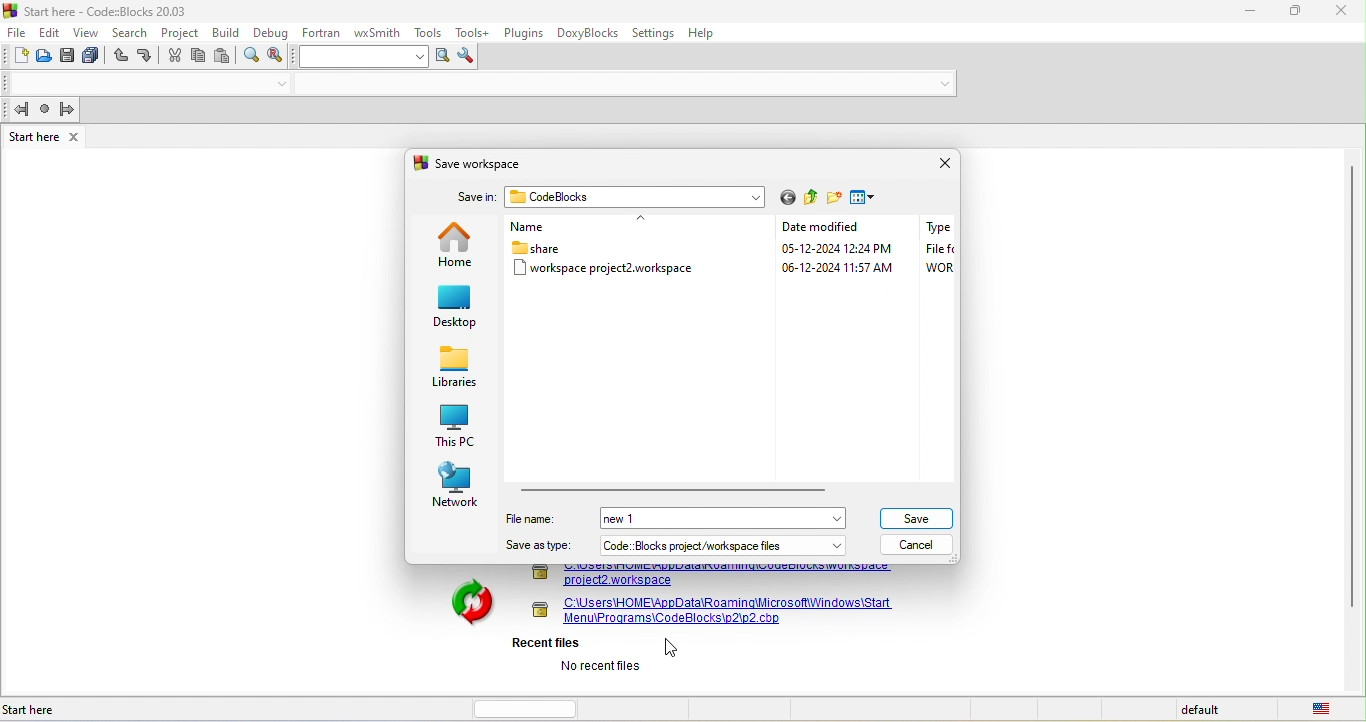  I want to click on text to search, so click(364, 56).